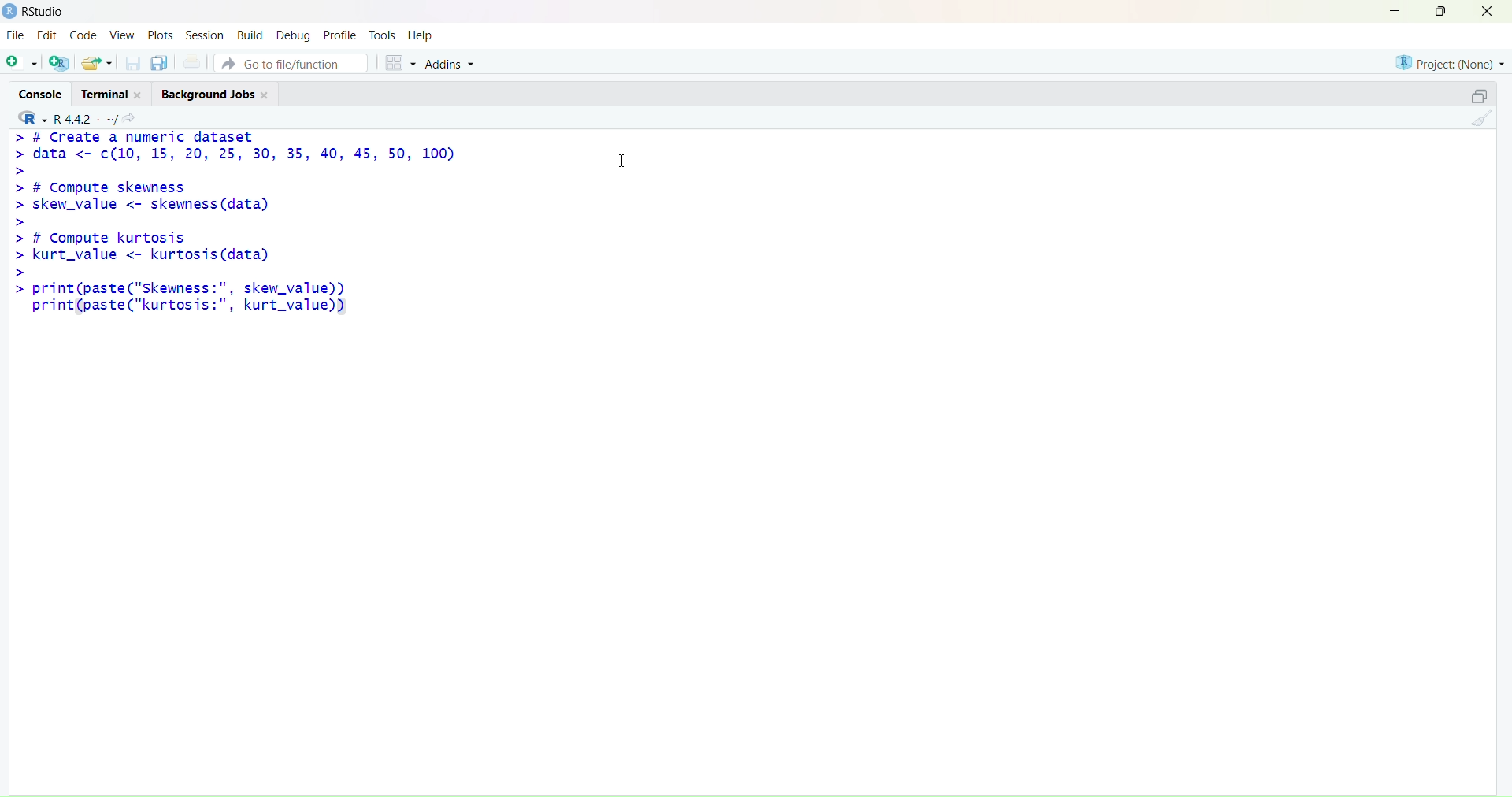 Image resolution: width=1512 pixels, height=797 pixels. I want to click on Plots, so click(161, 35).